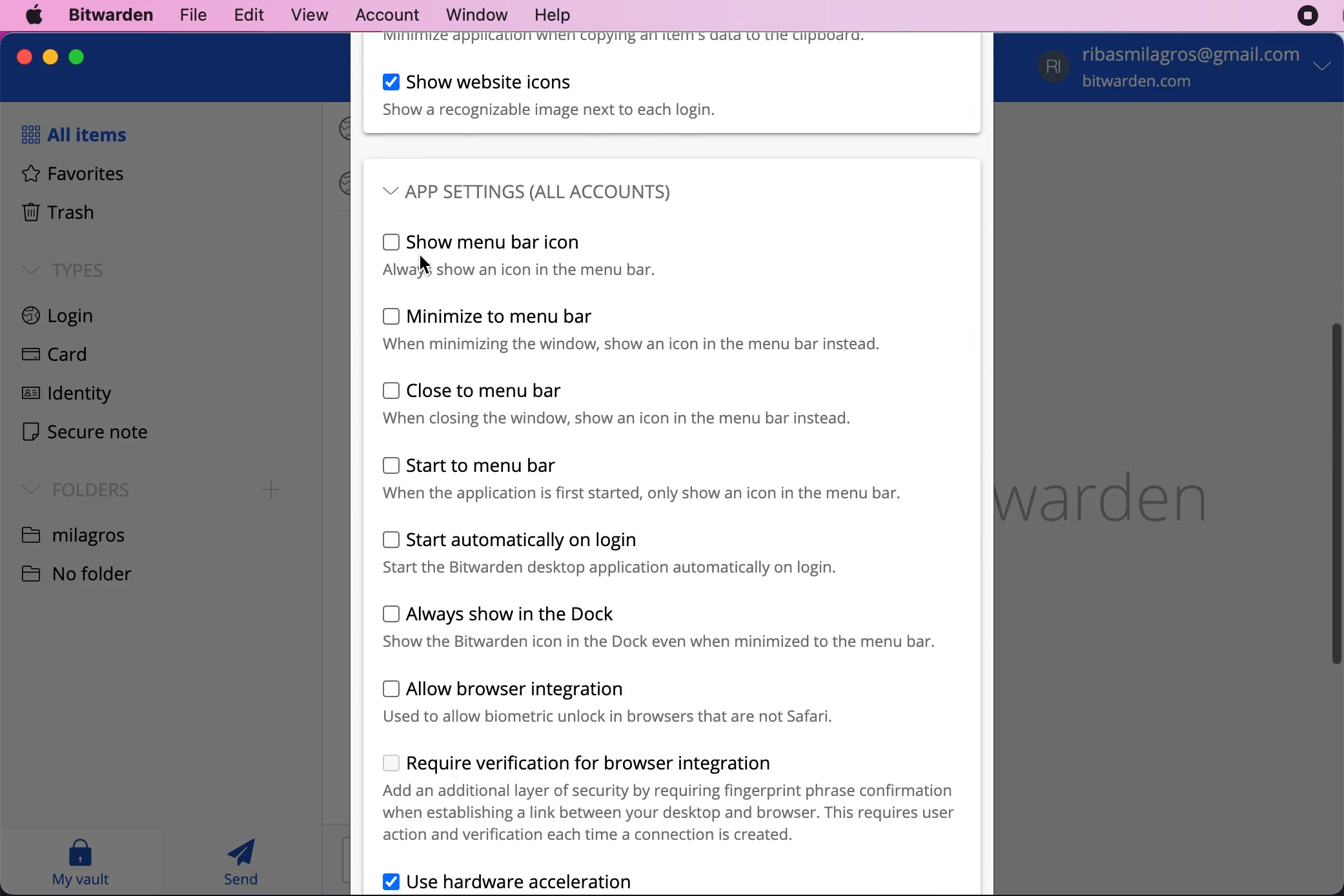  Describe the element at coordinates (552, 16) in the screenshot. I see `help` at that location.